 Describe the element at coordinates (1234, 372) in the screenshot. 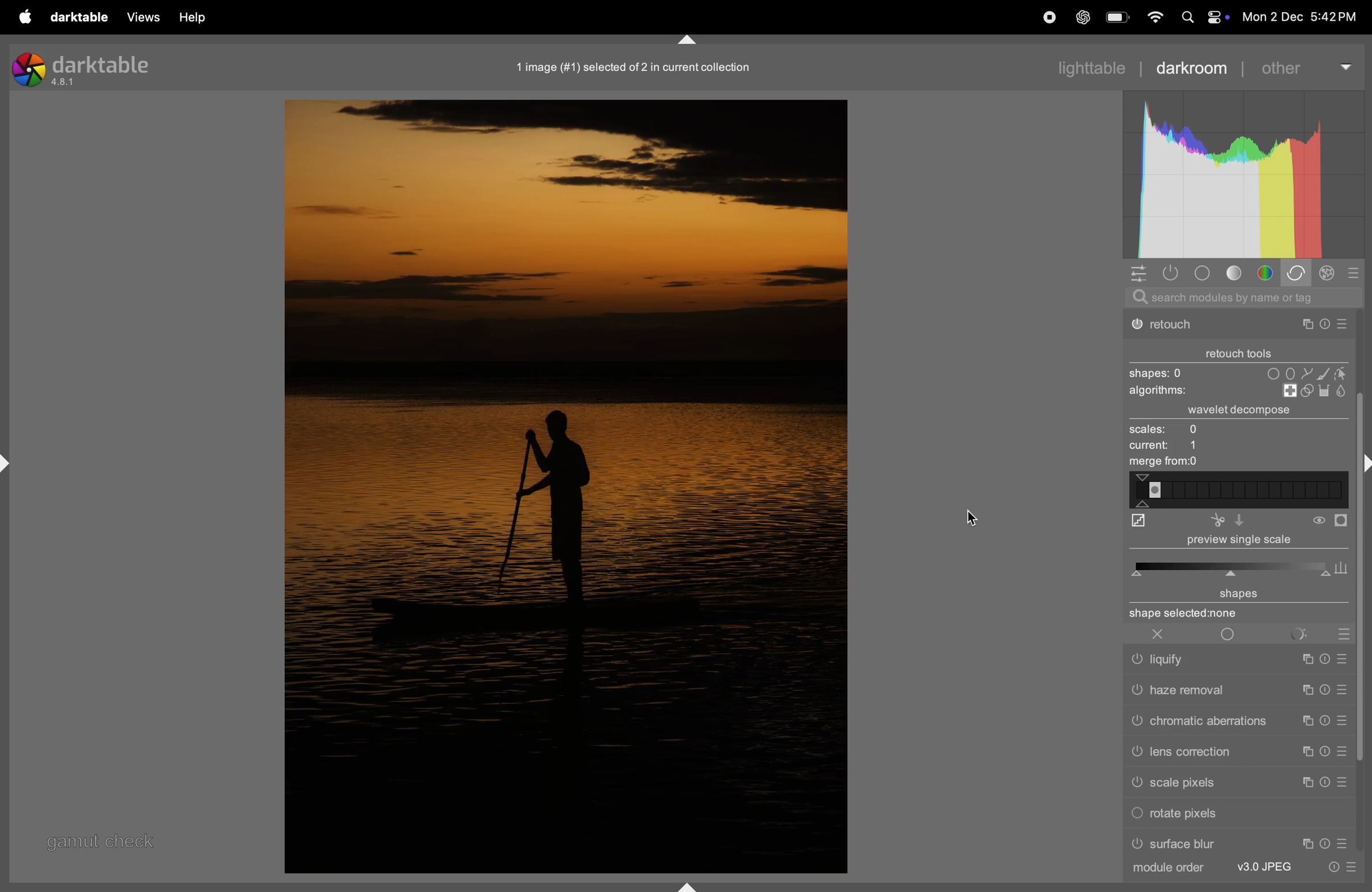

I see `shapes` at that location.